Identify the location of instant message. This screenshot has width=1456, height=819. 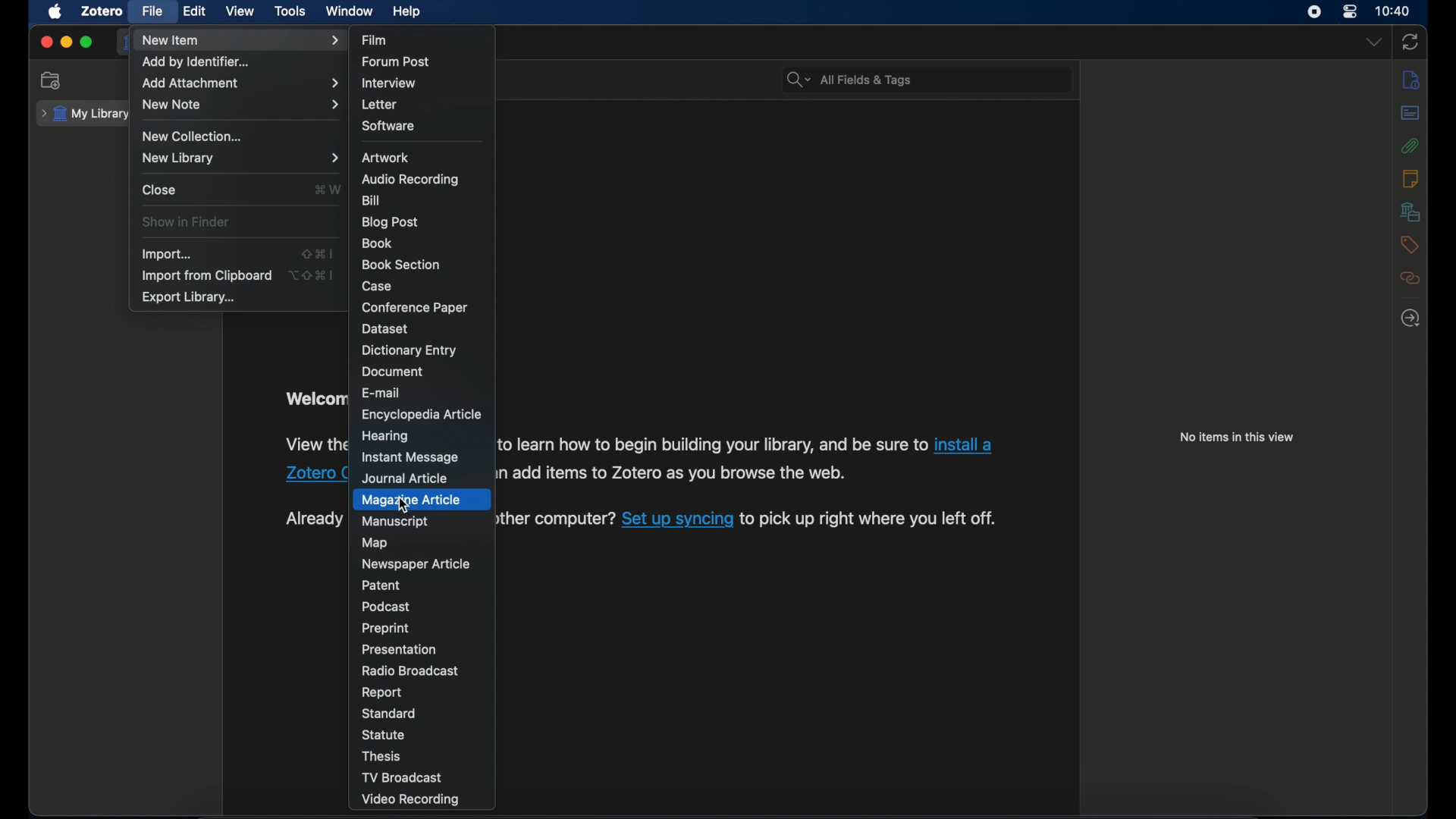
(411, 458).